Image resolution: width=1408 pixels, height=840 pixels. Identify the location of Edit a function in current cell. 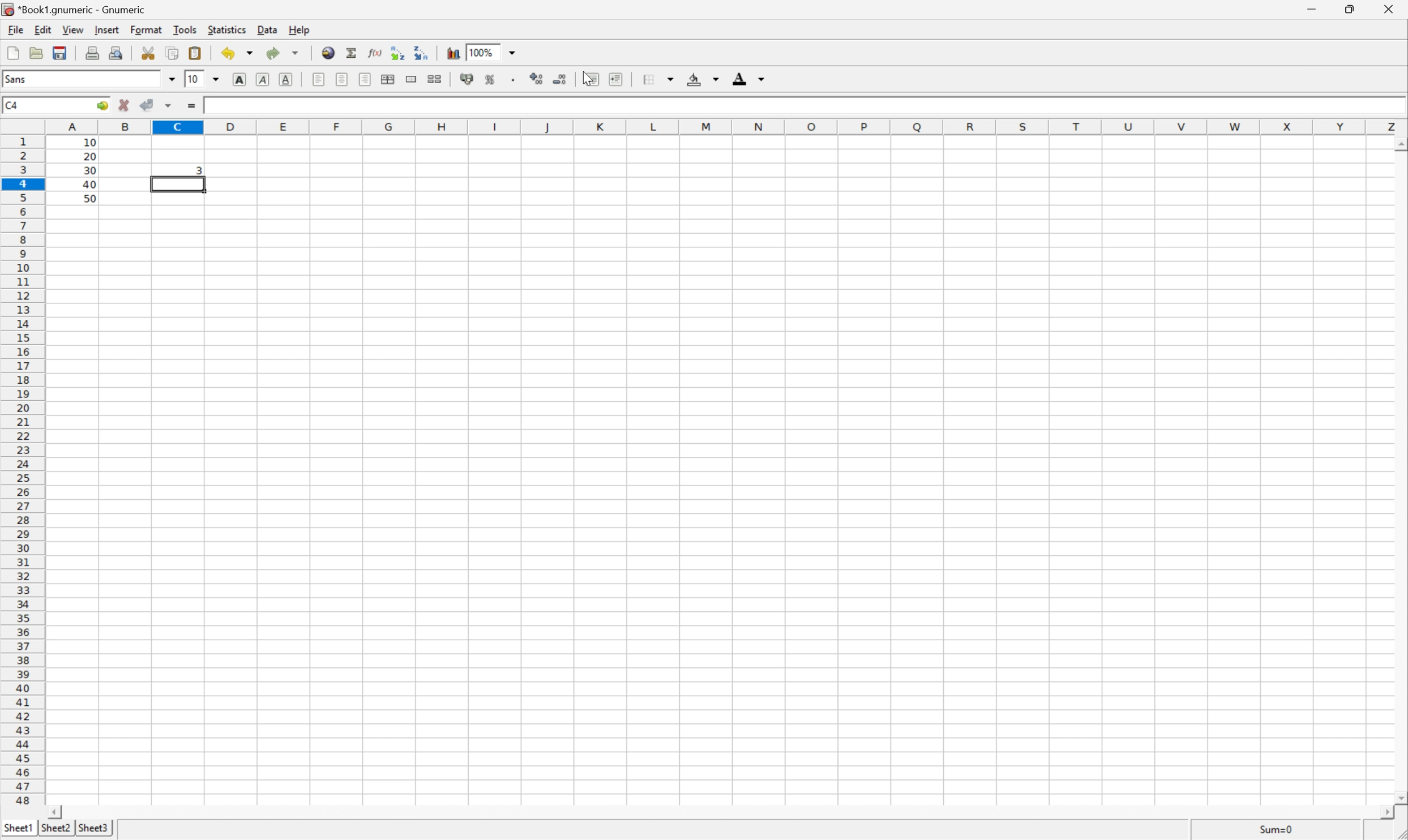
(374, 52).